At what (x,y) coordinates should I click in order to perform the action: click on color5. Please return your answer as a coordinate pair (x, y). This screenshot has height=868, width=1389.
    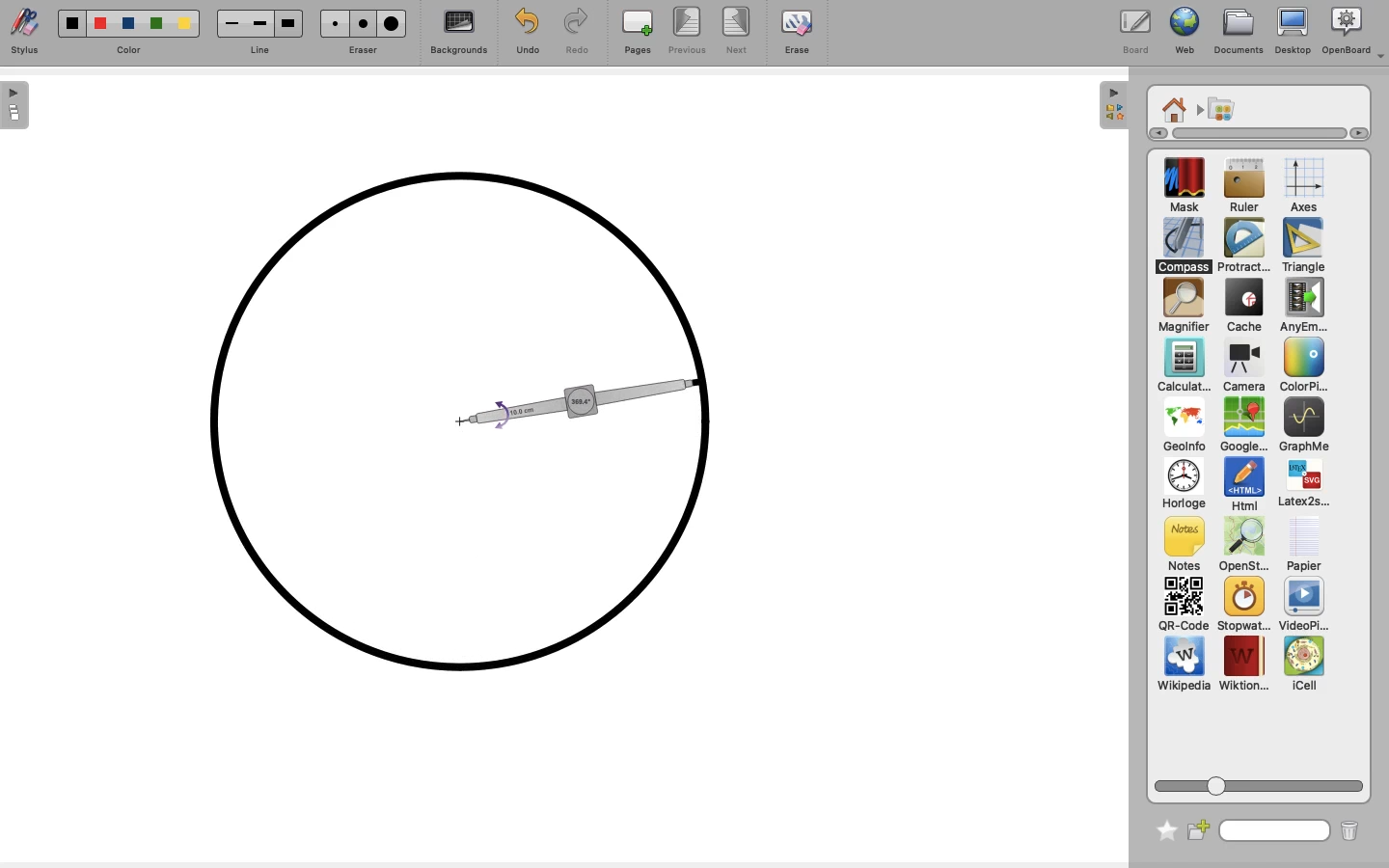
    Looking at the image, I should click on (183, 25).